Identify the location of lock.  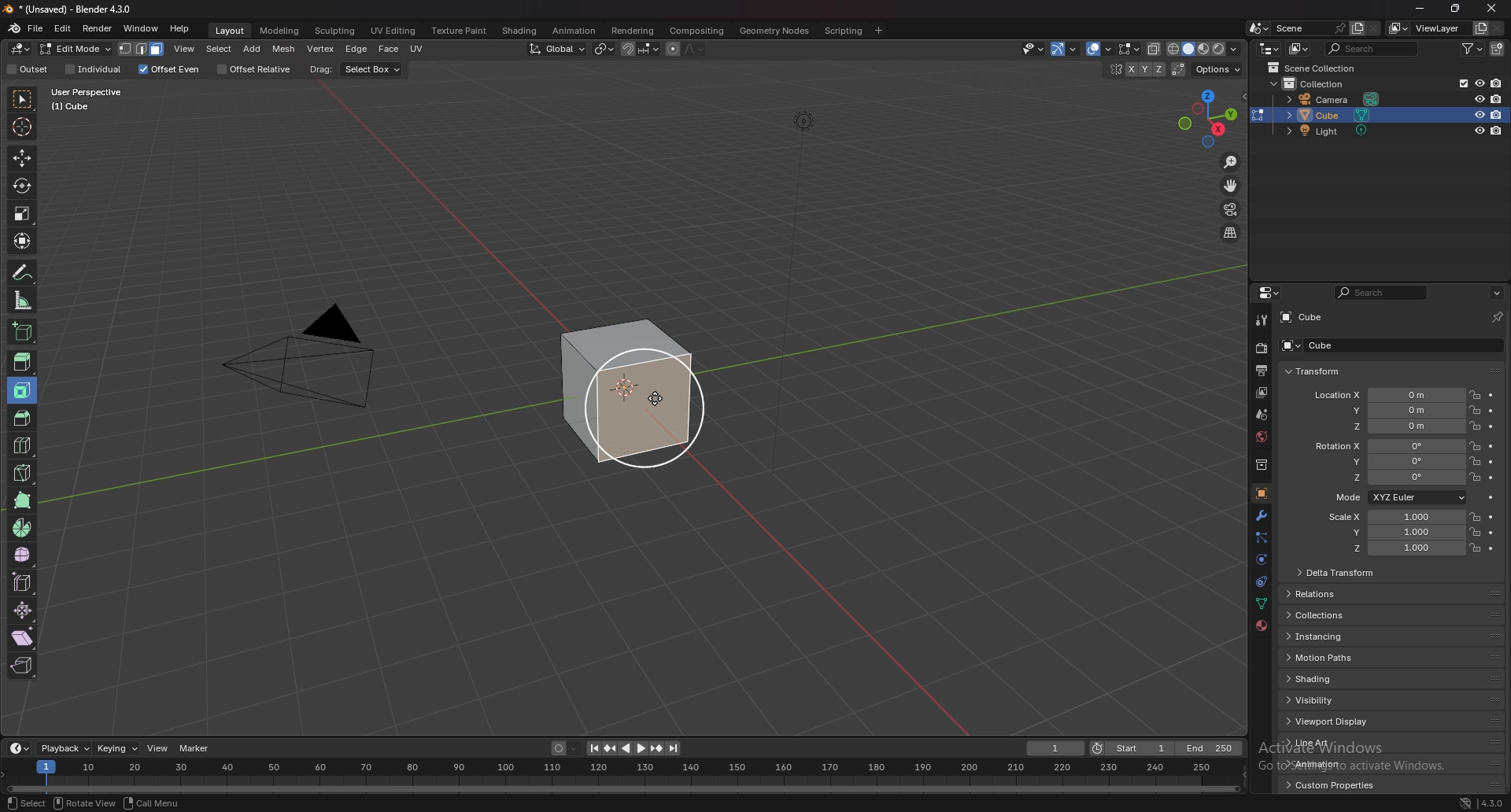
(1475, 409).